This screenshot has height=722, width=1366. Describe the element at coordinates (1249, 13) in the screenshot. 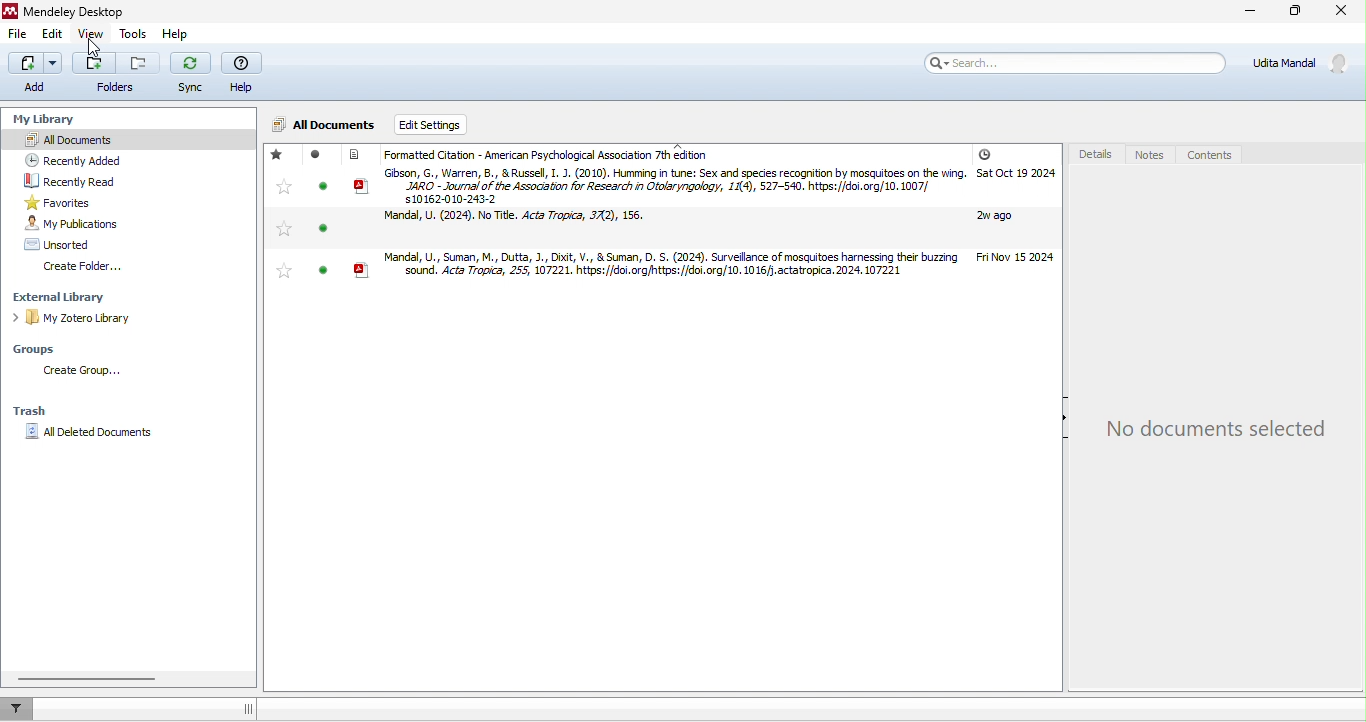

I see `minimize` at that location.